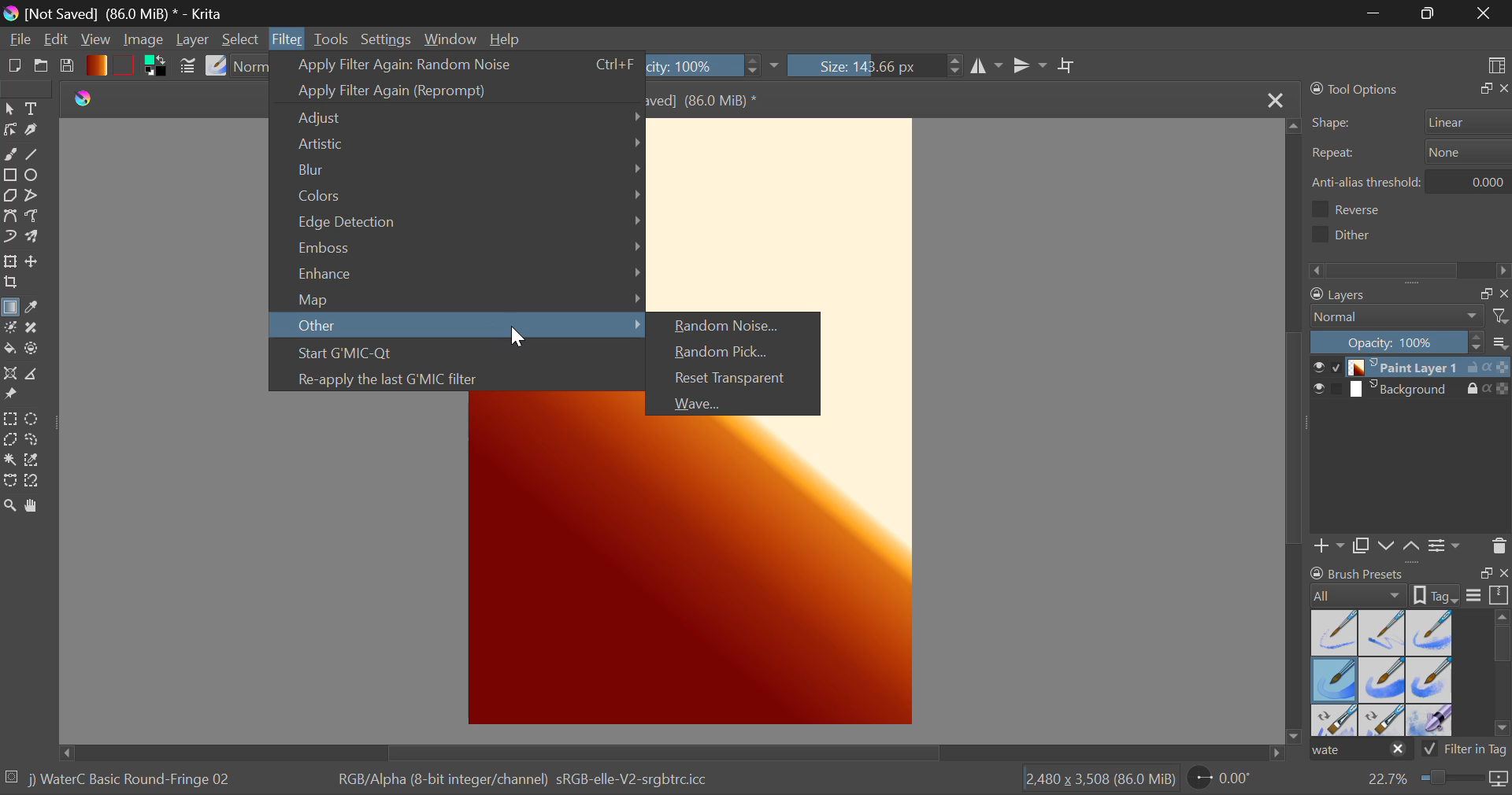 Image resolution: width=1512 pixels, height=795 pixels. I want to click on Select, so click(9, 109).